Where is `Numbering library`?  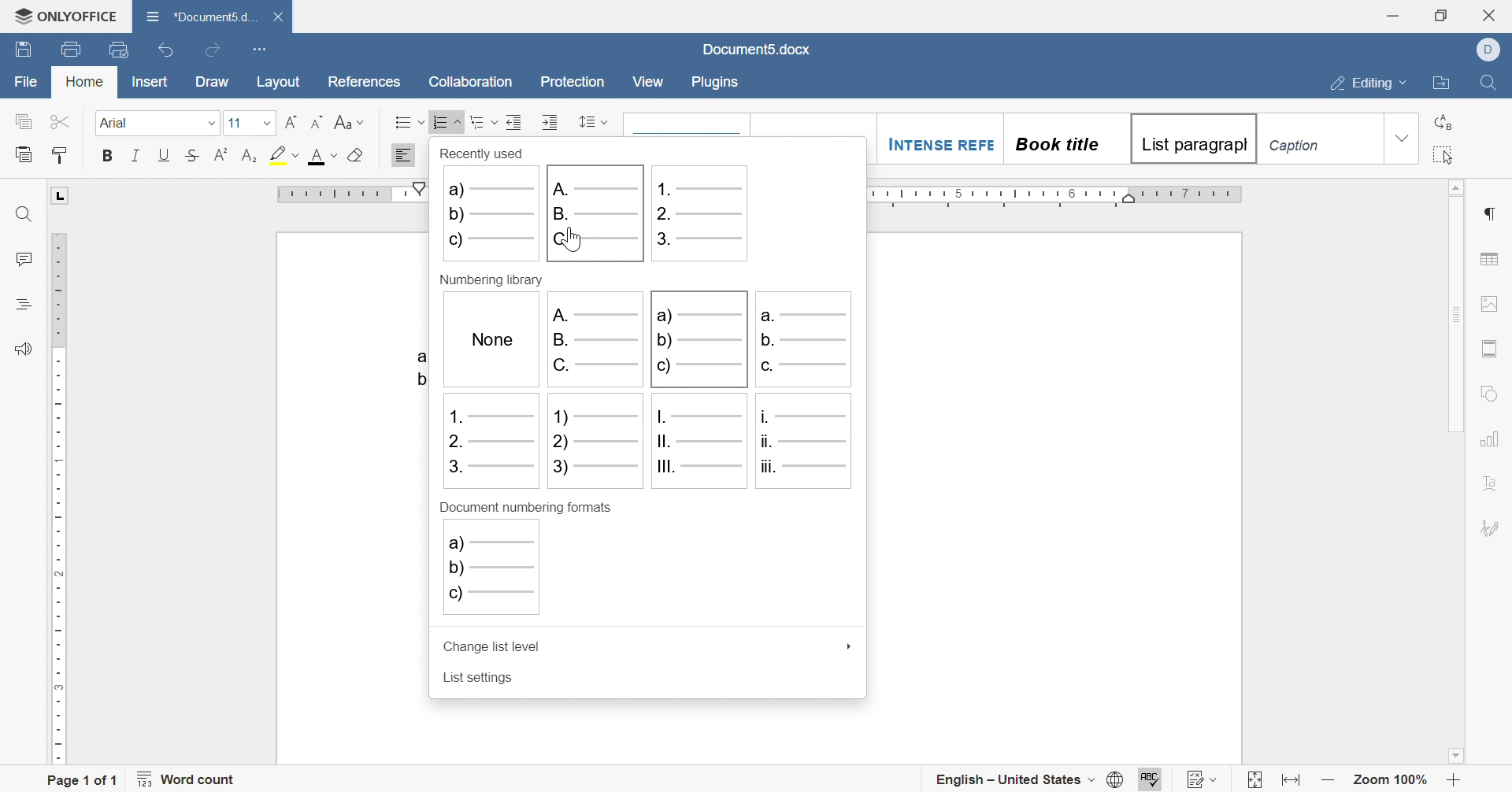 Numbering library is located at coordinates (495, 280).